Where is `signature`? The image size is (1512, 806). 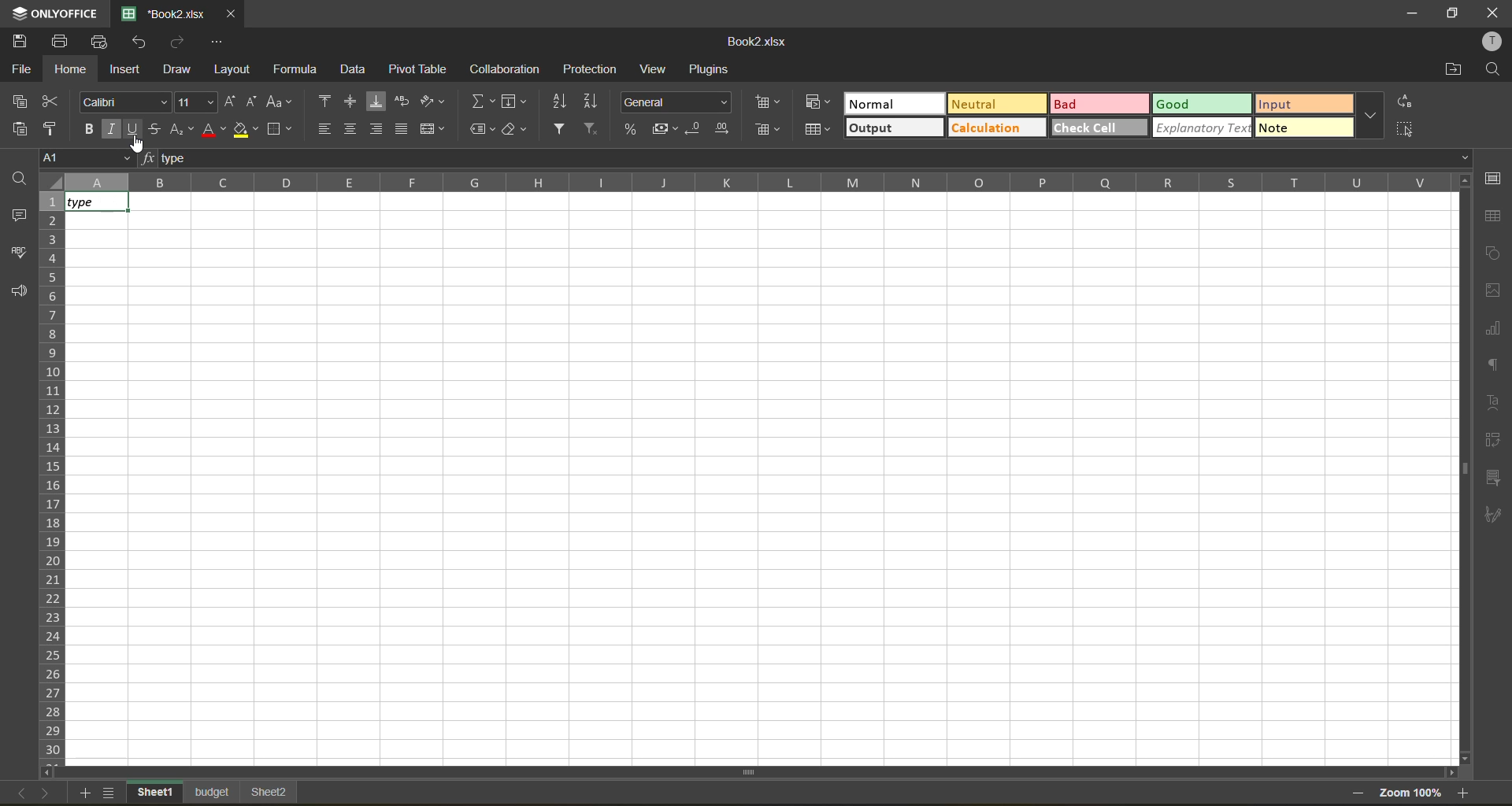 signature is located at coordinates (1492, 515).